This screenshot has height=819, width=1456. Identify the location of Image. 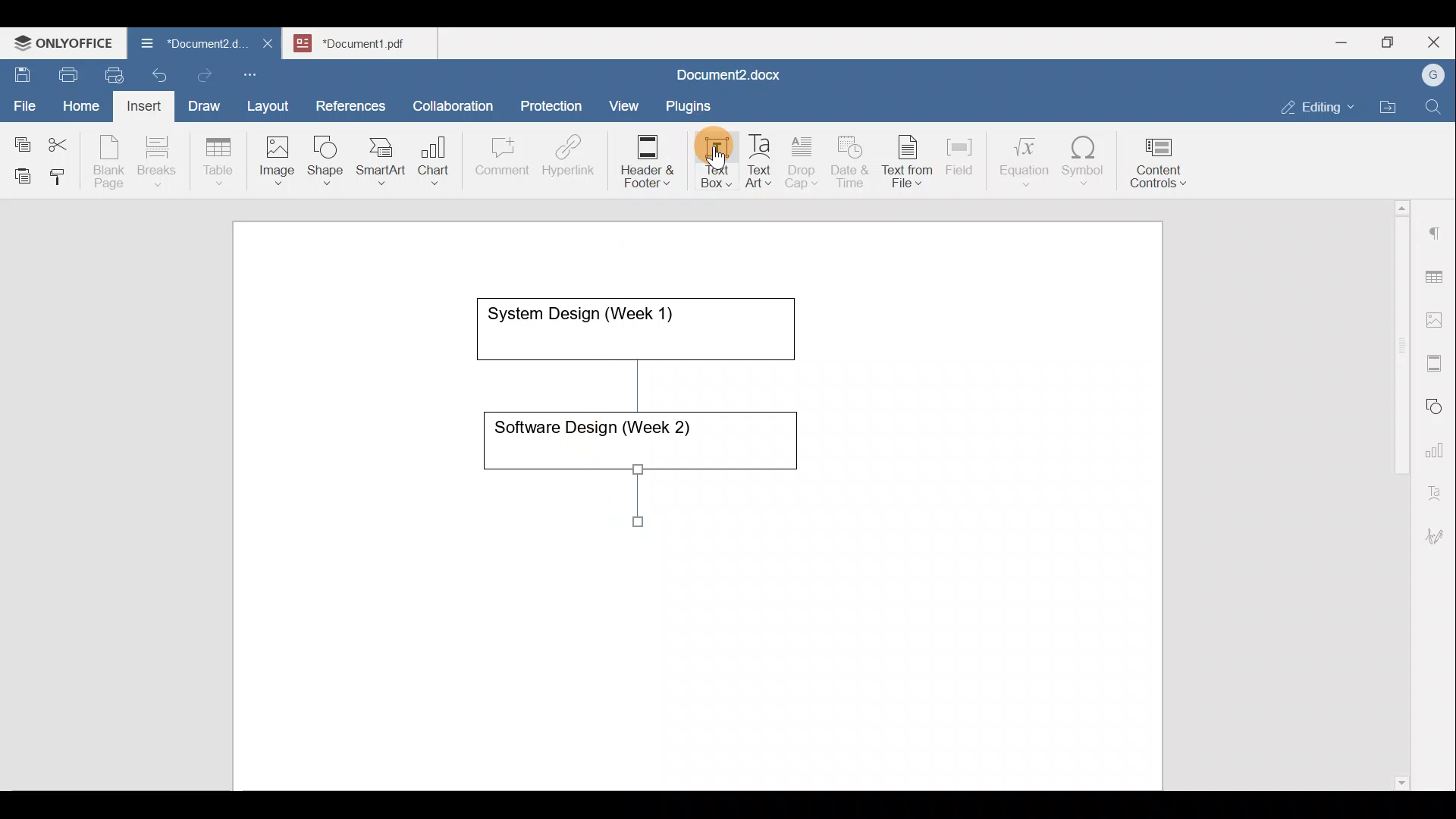
(281, 155).